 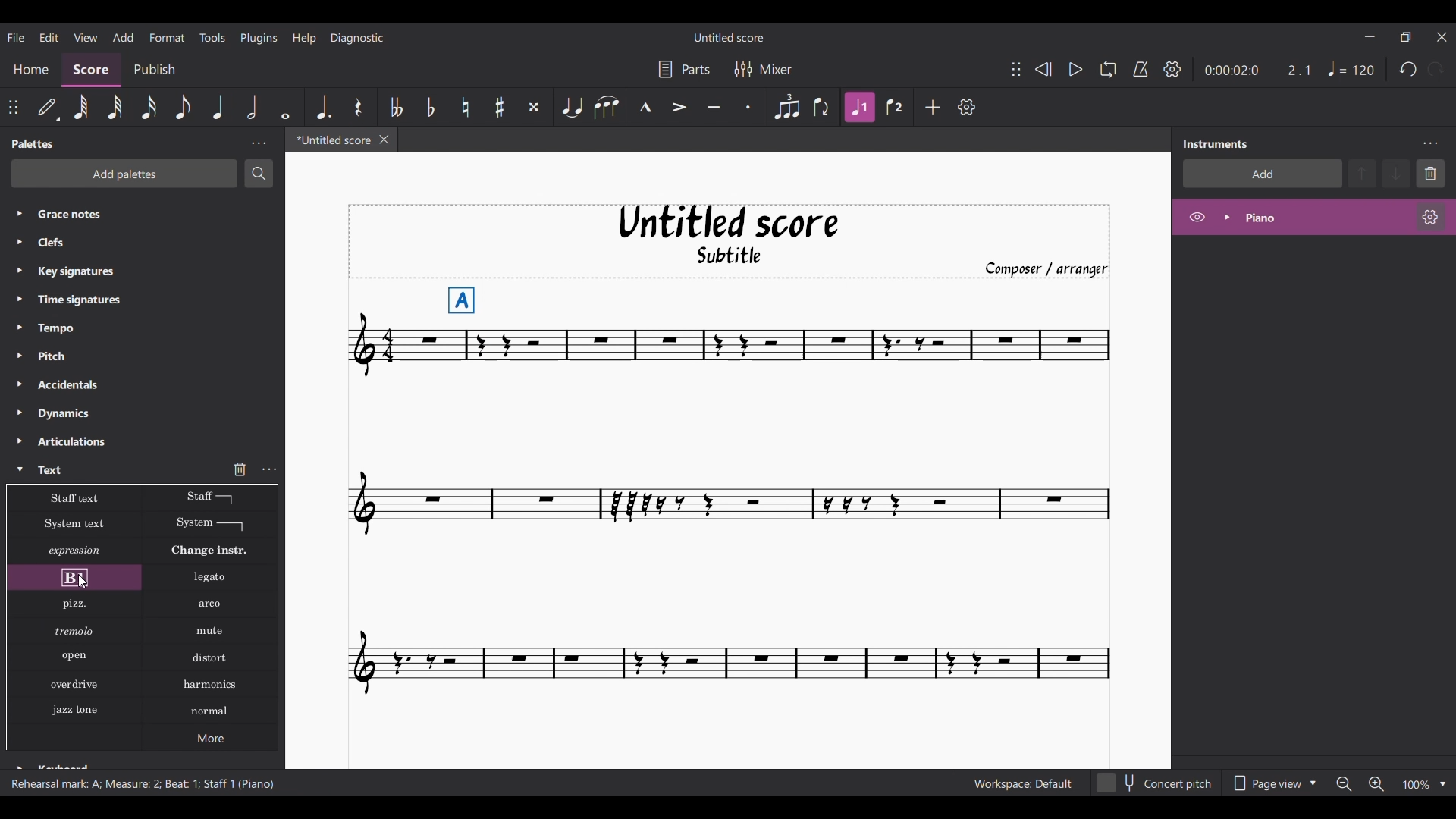 What do you see at coordinates (714, 107) in the screenshot?
I see `Tenuto` at bounding box center [714, 107].